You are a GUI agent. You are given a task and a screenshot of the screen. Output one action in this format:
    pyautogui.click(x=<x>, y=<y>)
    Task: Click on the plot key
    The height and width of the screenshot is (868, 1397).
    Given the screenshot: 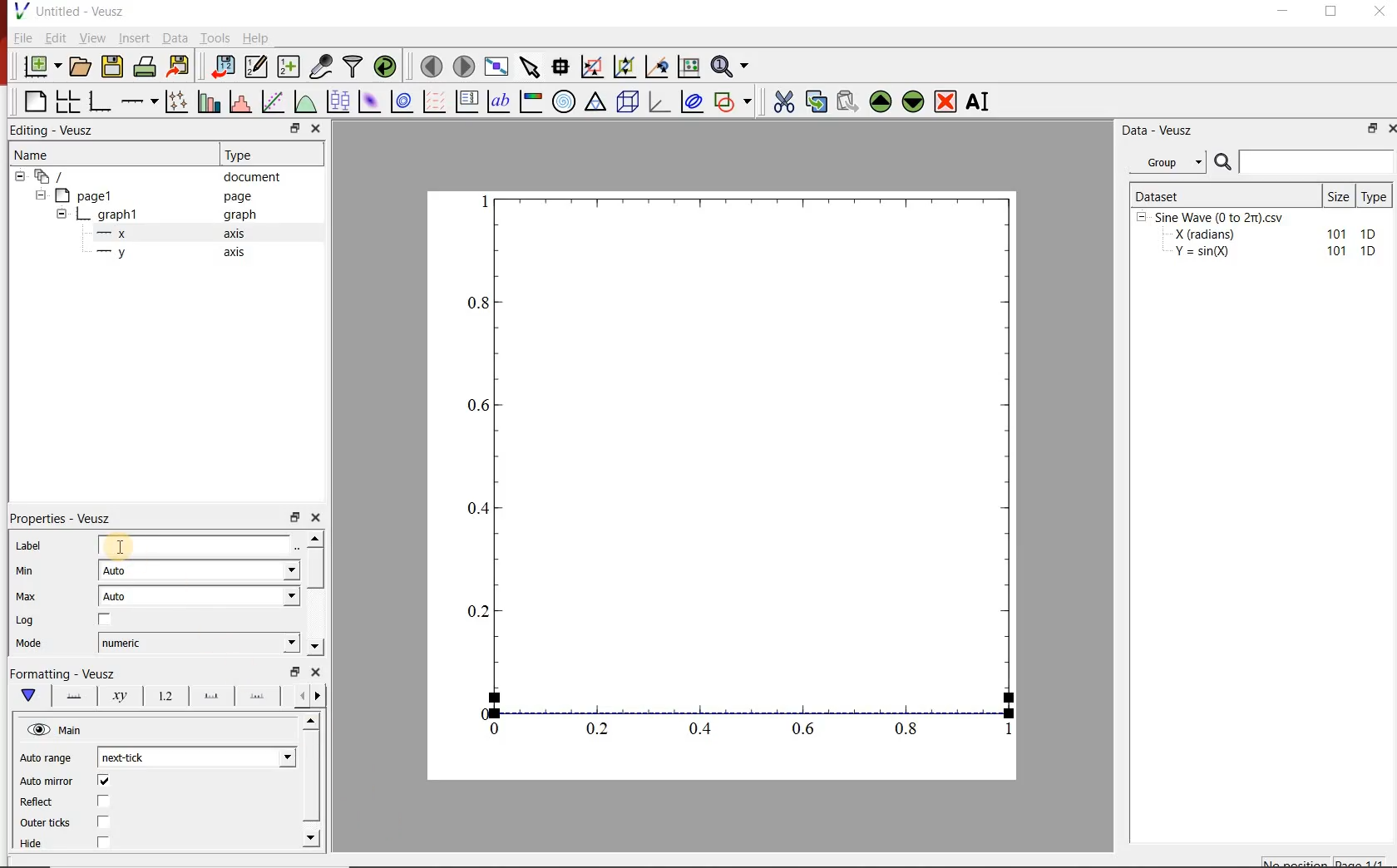 What is the action you would take?
    pyautogui.click(x=468, y=101)
    